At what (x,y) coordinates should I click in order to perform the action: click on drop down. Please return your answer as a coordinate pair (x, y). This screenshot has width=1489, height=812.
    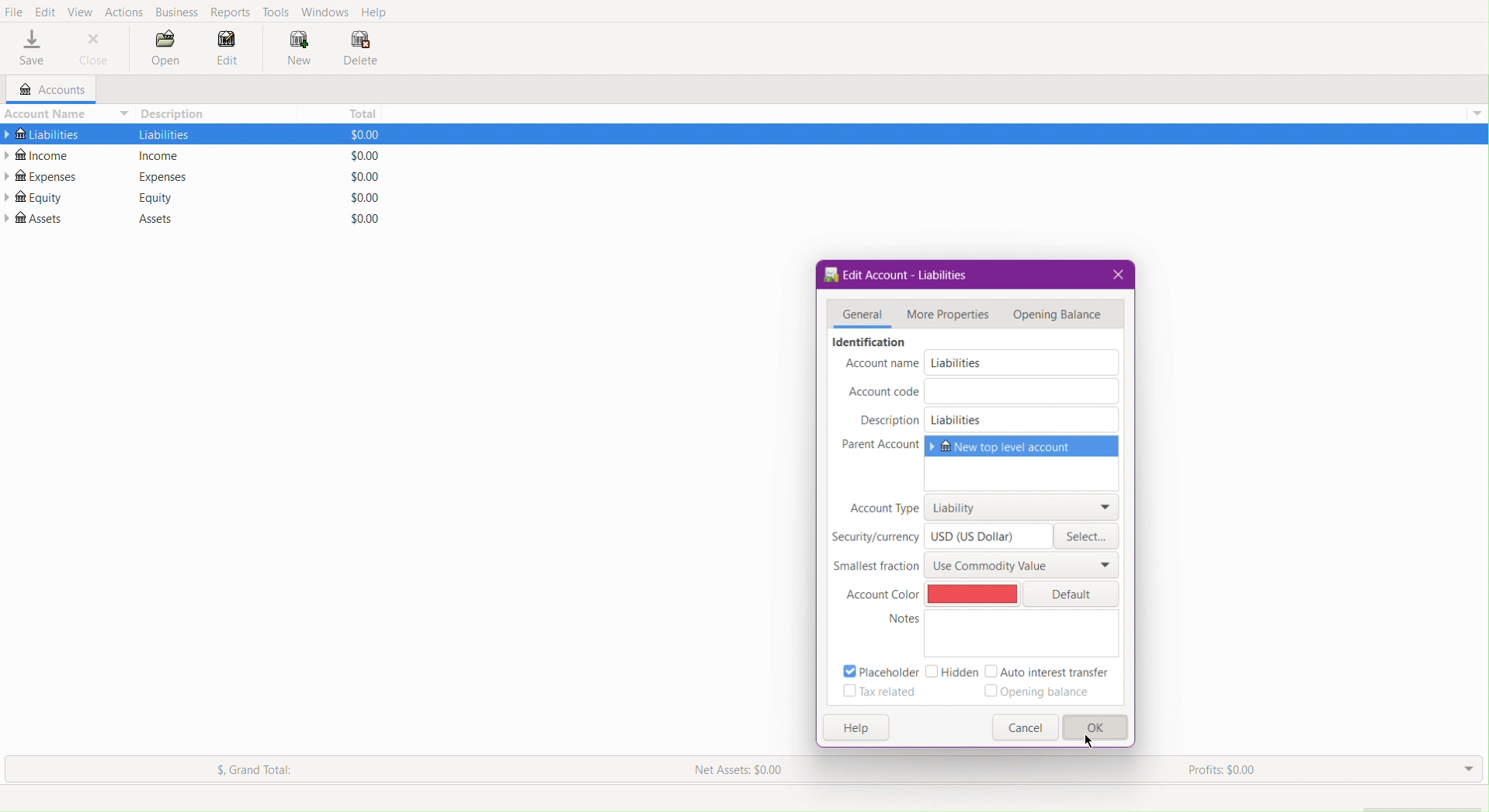
    Looking at the image, I should click on (1480, 113).